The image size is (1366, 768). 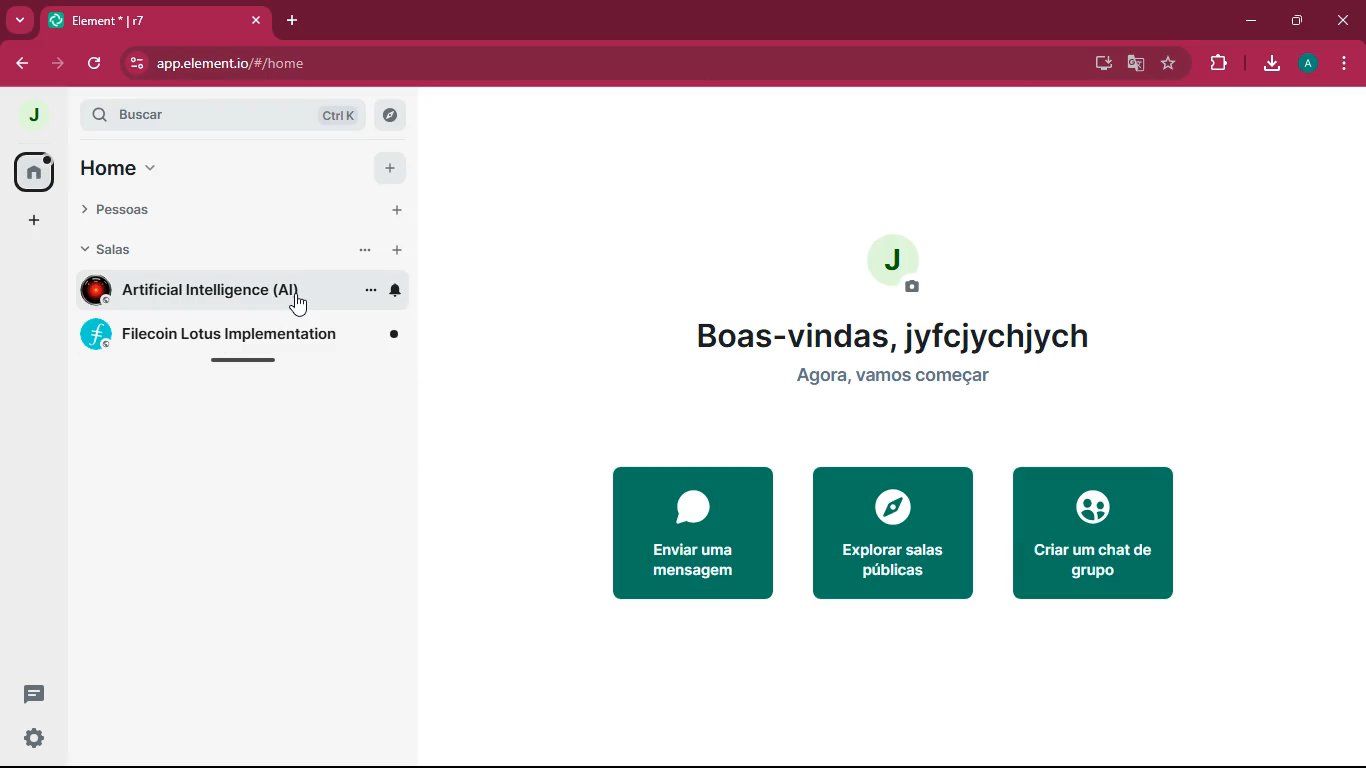 What do you see at coordinates (899, 335) in the screenshot?
I see `boas-vindas, jyfcjychjych` at bounding box center [899, 335].